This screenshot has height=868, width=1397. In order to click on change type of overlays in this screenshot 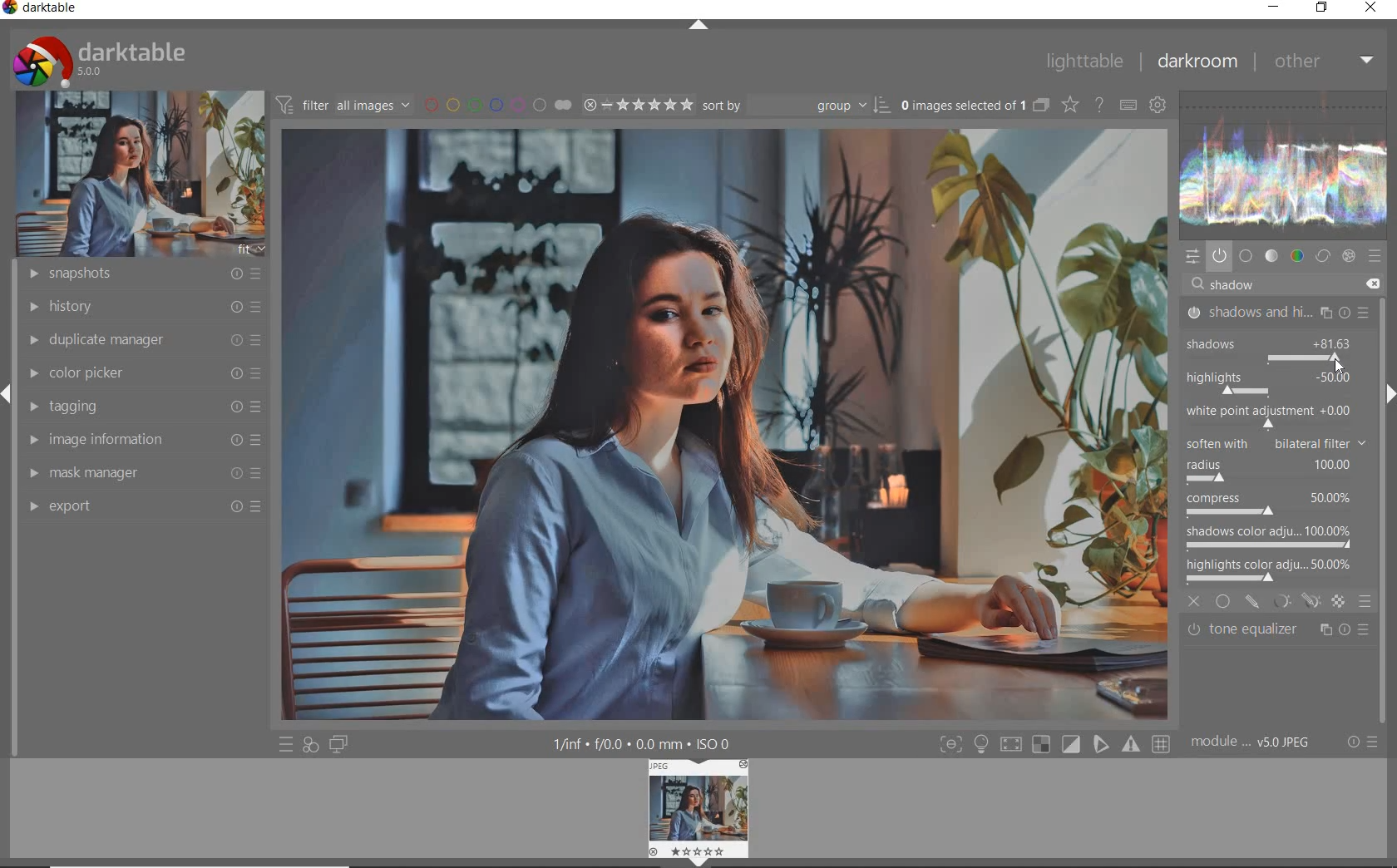, I will do `click(1072, 104)`.